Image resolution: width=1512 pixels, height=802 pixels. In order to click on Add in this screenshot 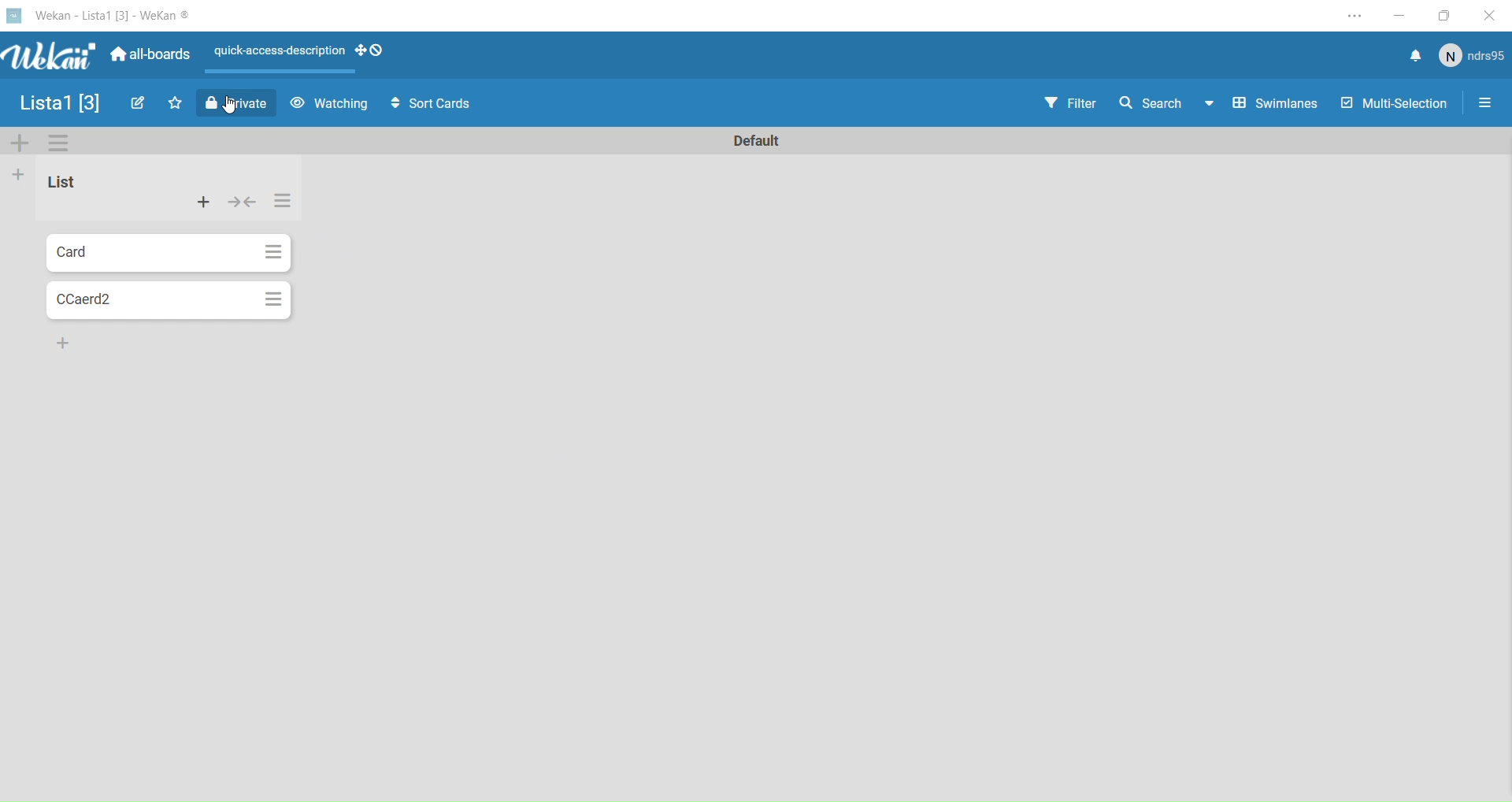, I will do `click(205, 203)`.